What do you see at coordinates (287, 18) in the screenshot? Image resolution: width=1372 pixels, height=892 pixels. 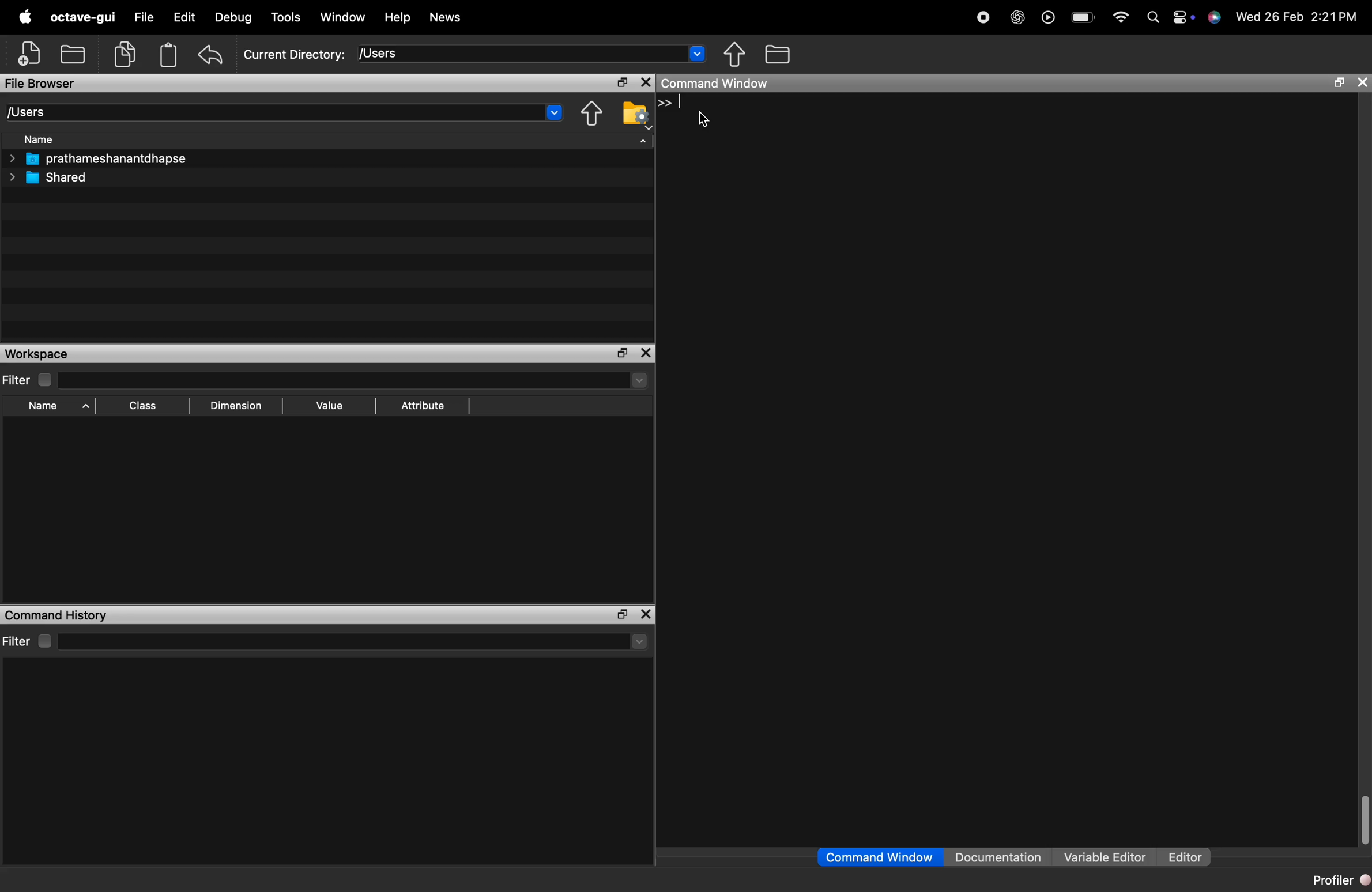 I see `Tools` at bounding box center [287, 18].